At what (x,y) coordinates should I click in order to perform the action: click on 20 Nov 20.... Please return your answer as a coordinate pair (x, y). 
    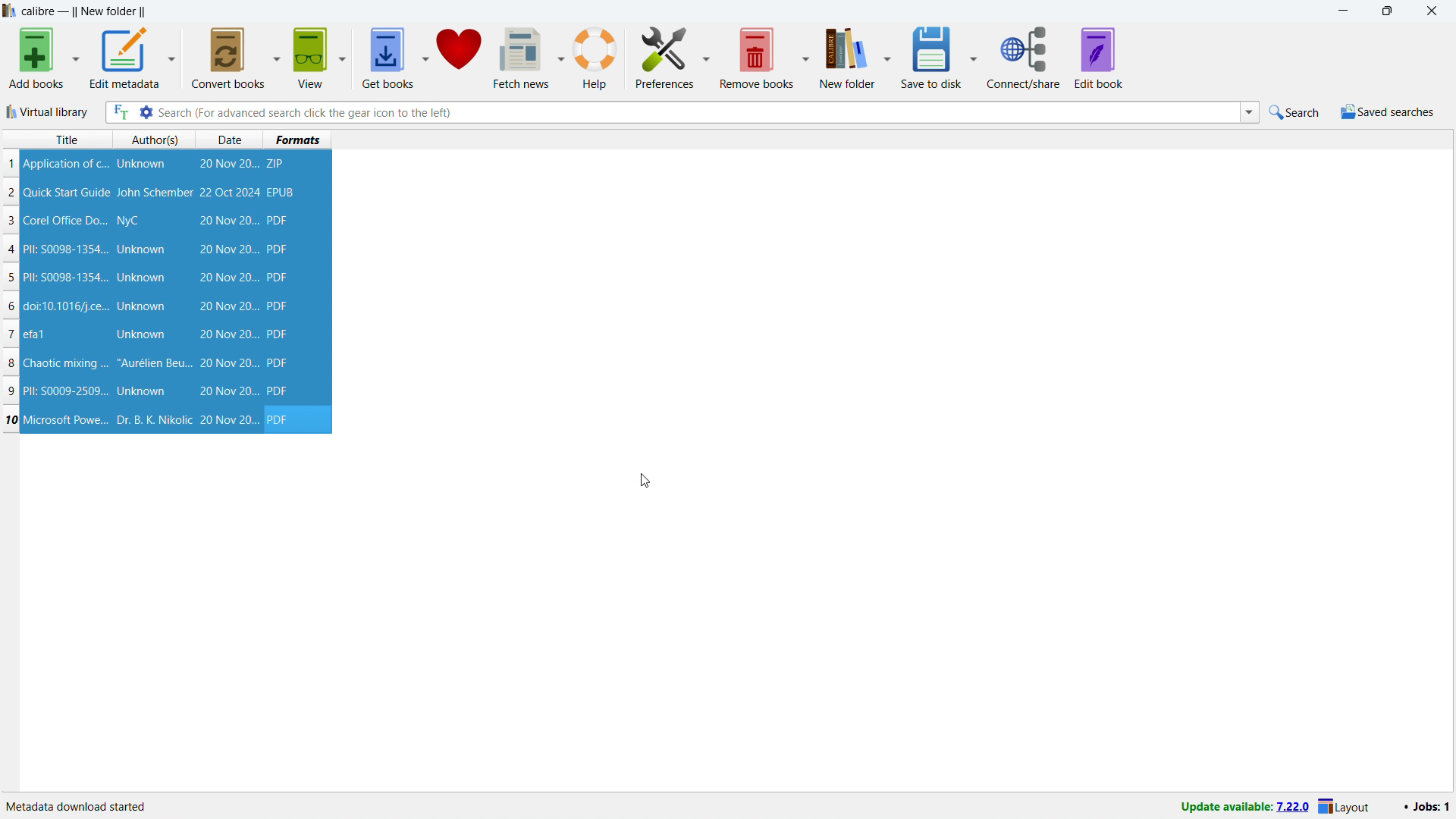
    Looking at the image, I should click on (227, 391).